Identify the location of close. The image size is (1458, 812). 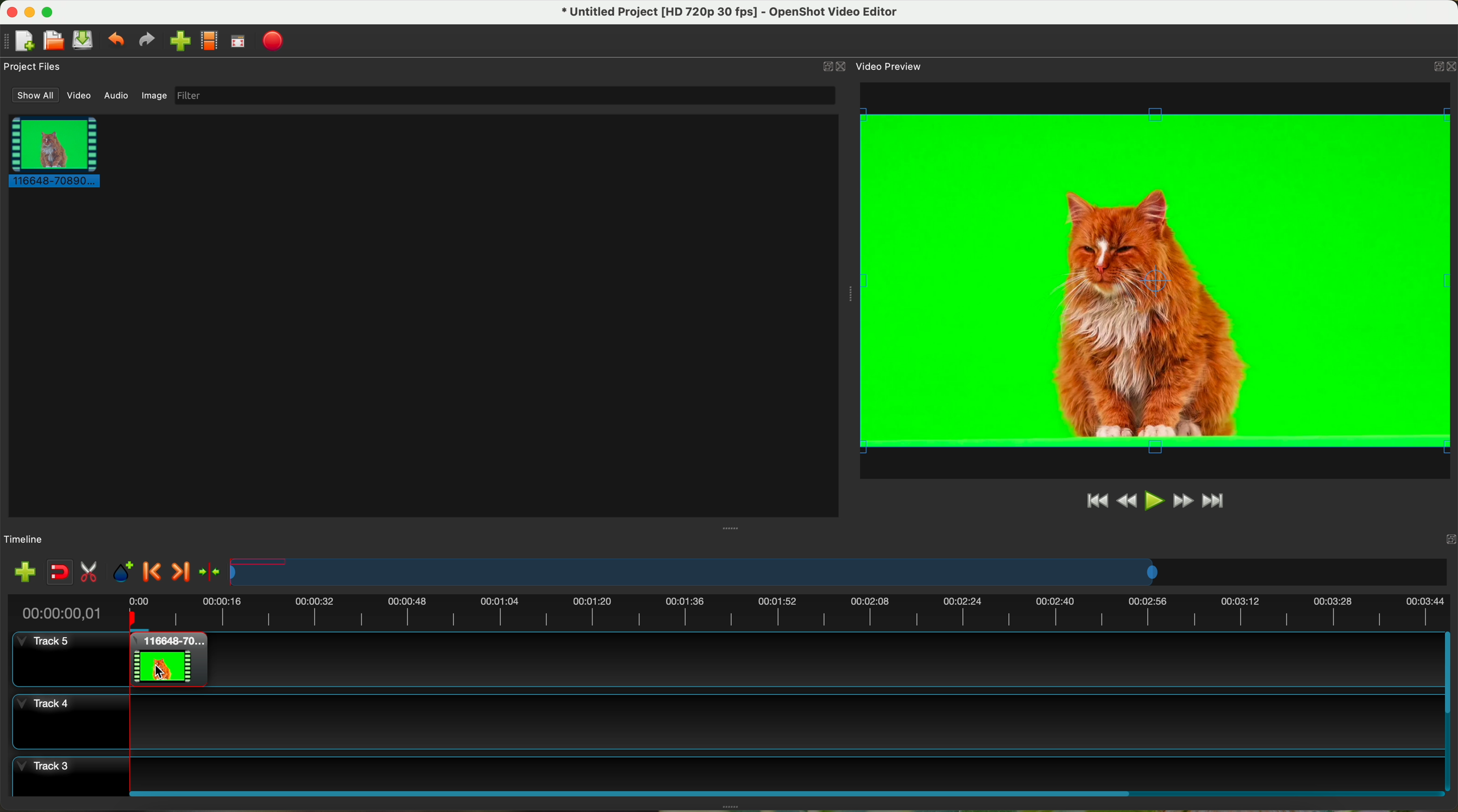
(1442, 68).